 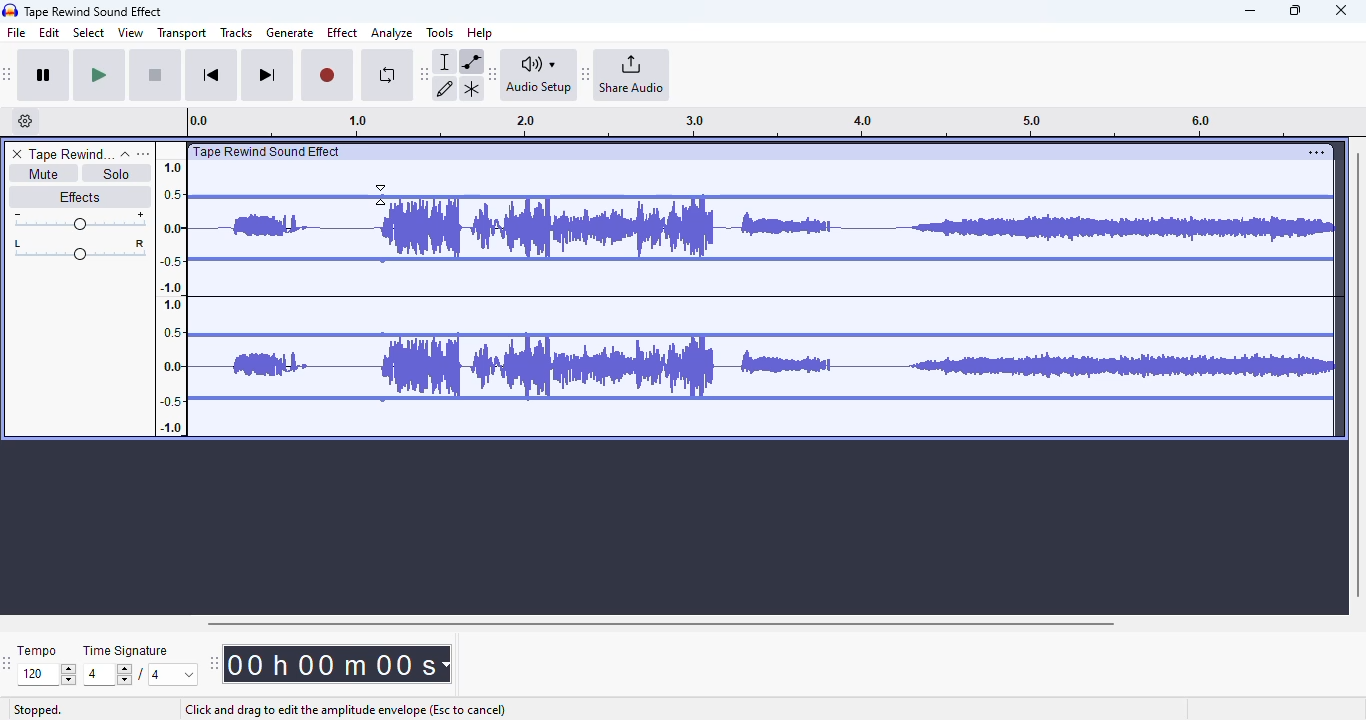 What do you see at coordinates (382, 399) in the screenshot?
I see `control point` at bounding box center [382, 399].